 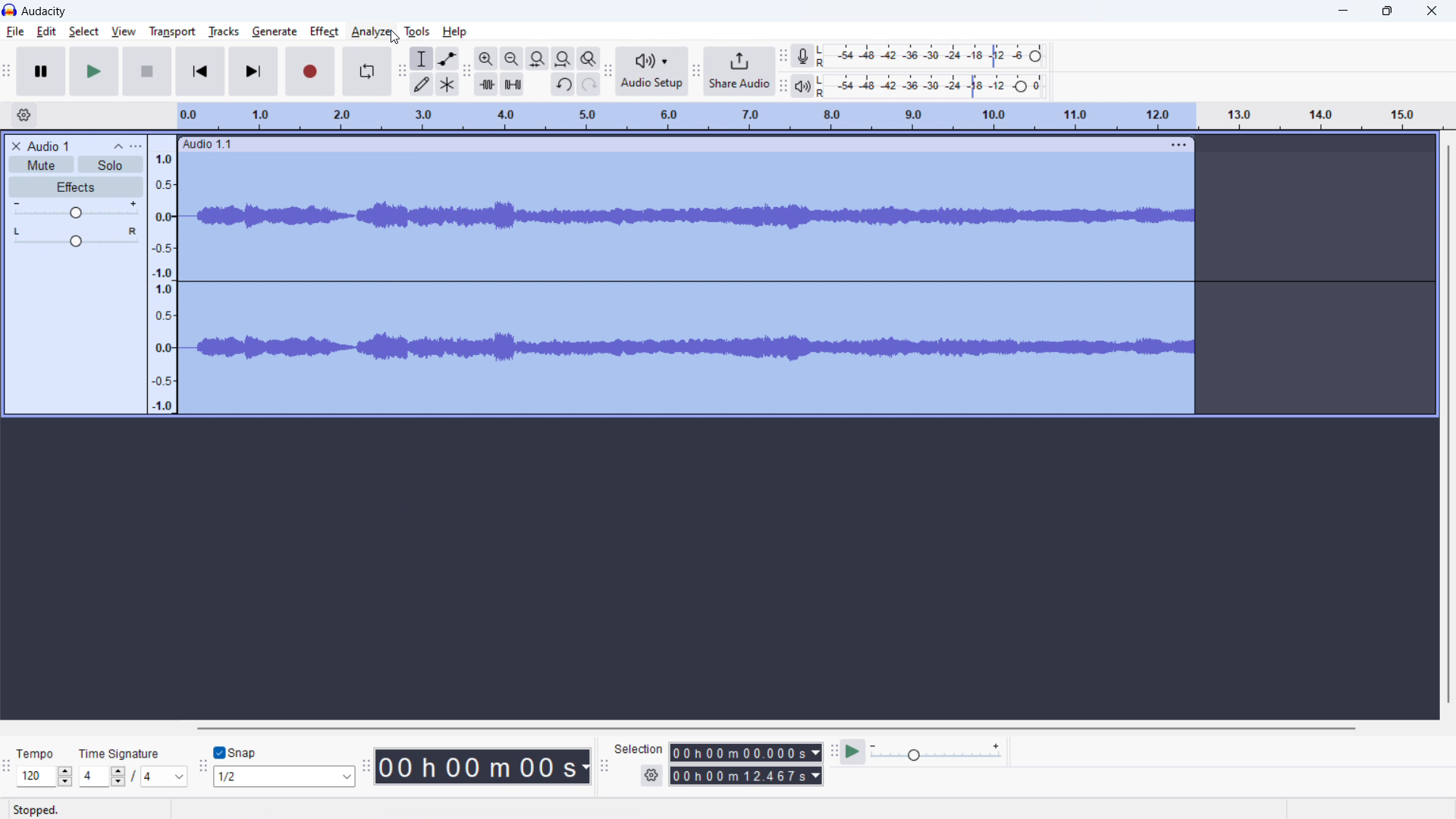 I want to click on play at speed toolbar, so click(x=833, y=751).